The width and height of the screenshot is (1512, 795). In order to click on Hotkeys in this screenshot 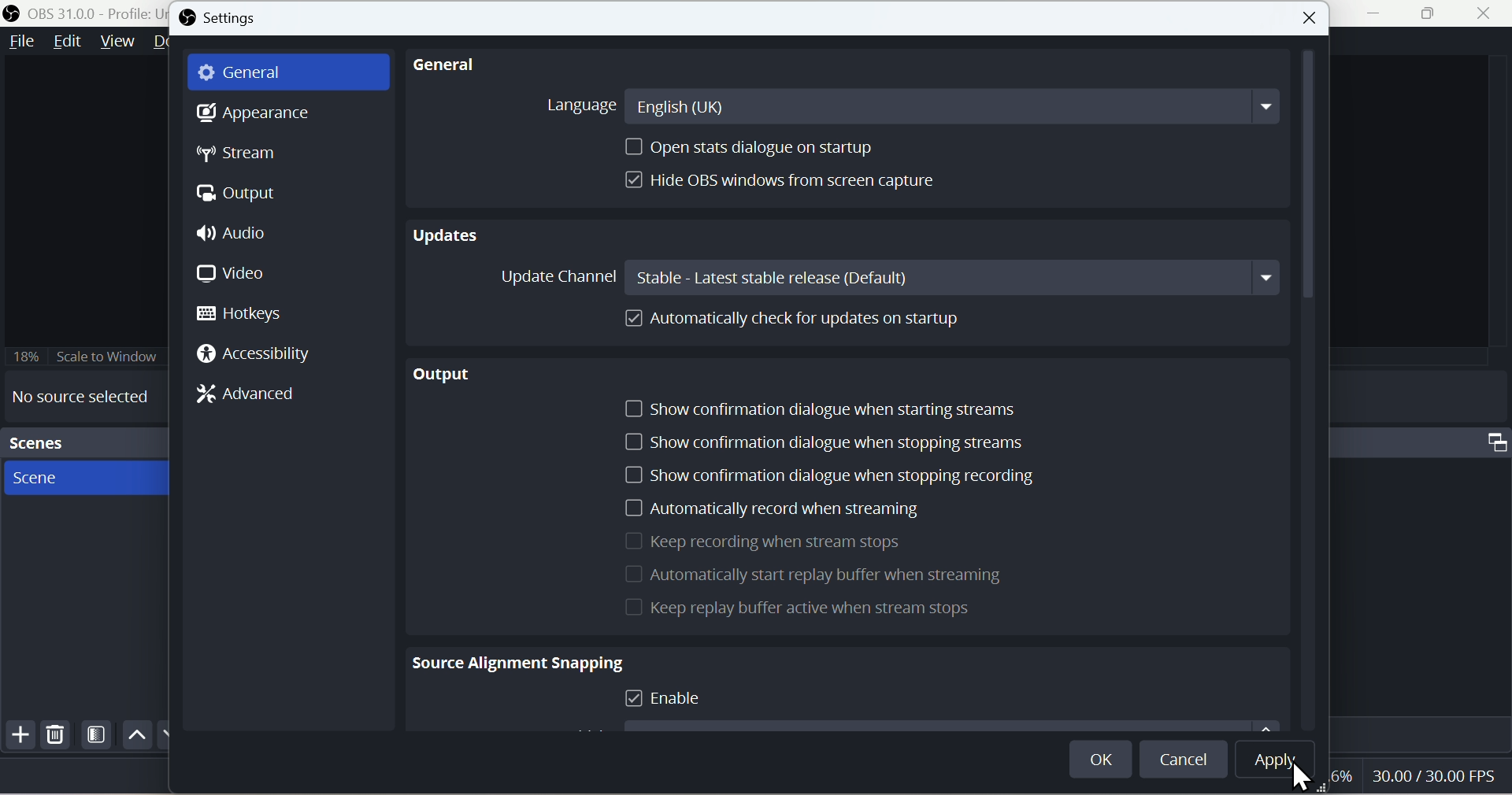, I will do `click(250, 316)`.